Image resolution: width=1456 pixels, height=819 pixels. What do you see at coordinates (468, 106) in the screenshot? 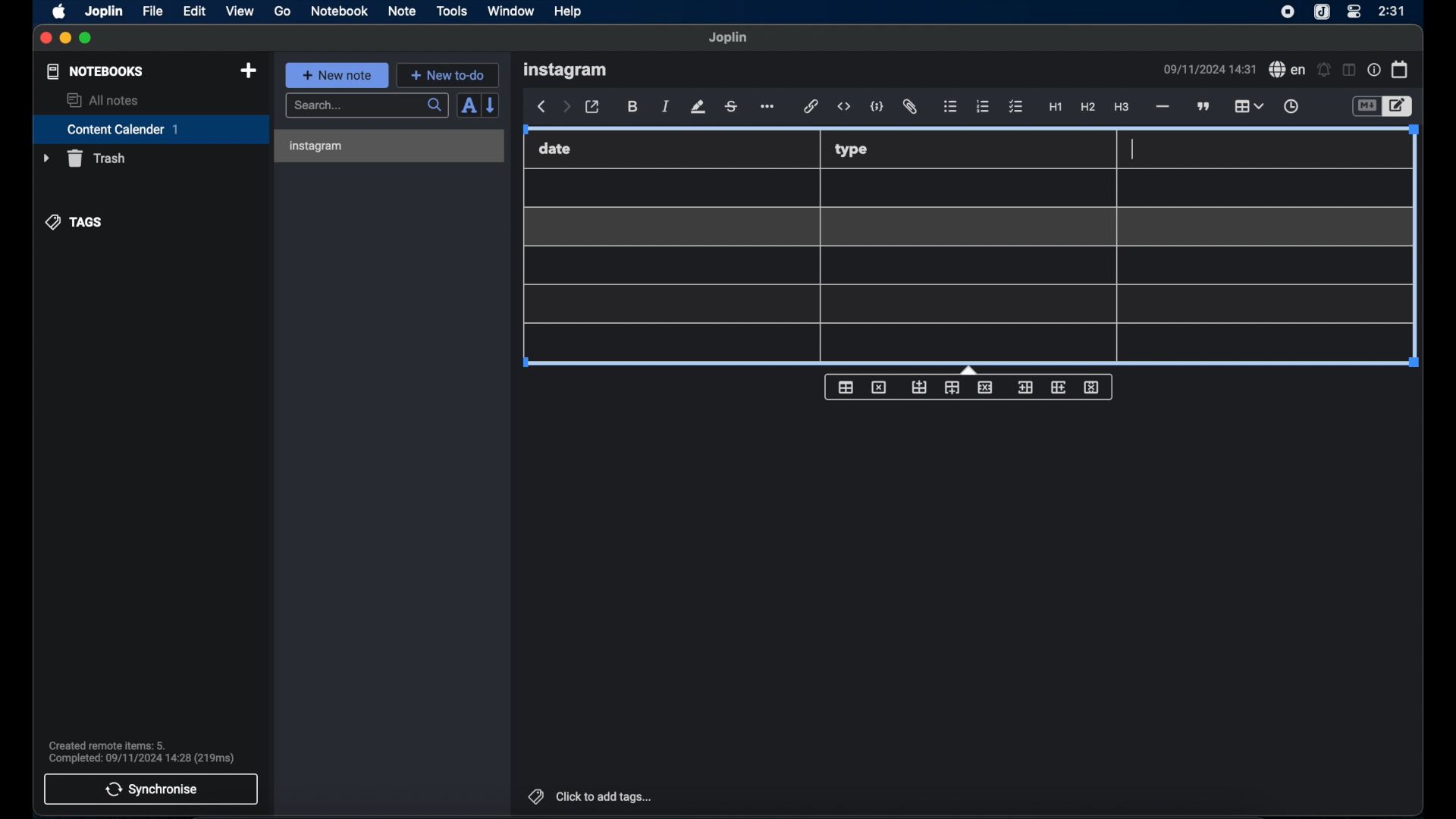
I see `toggle sort order field` at bounding box center [468, 106].